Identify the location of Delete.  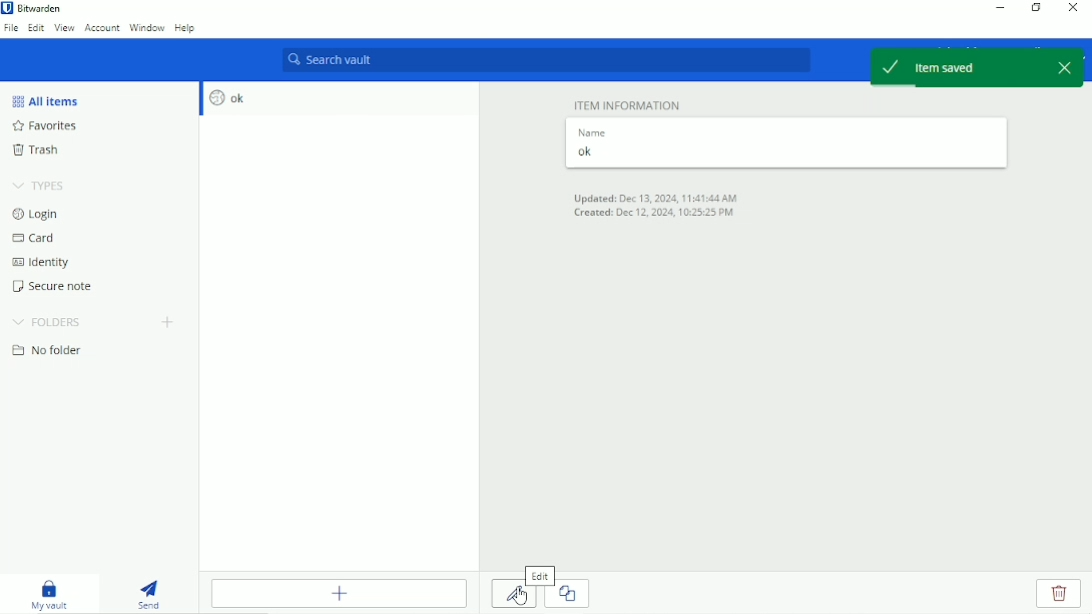
(1058, 593).